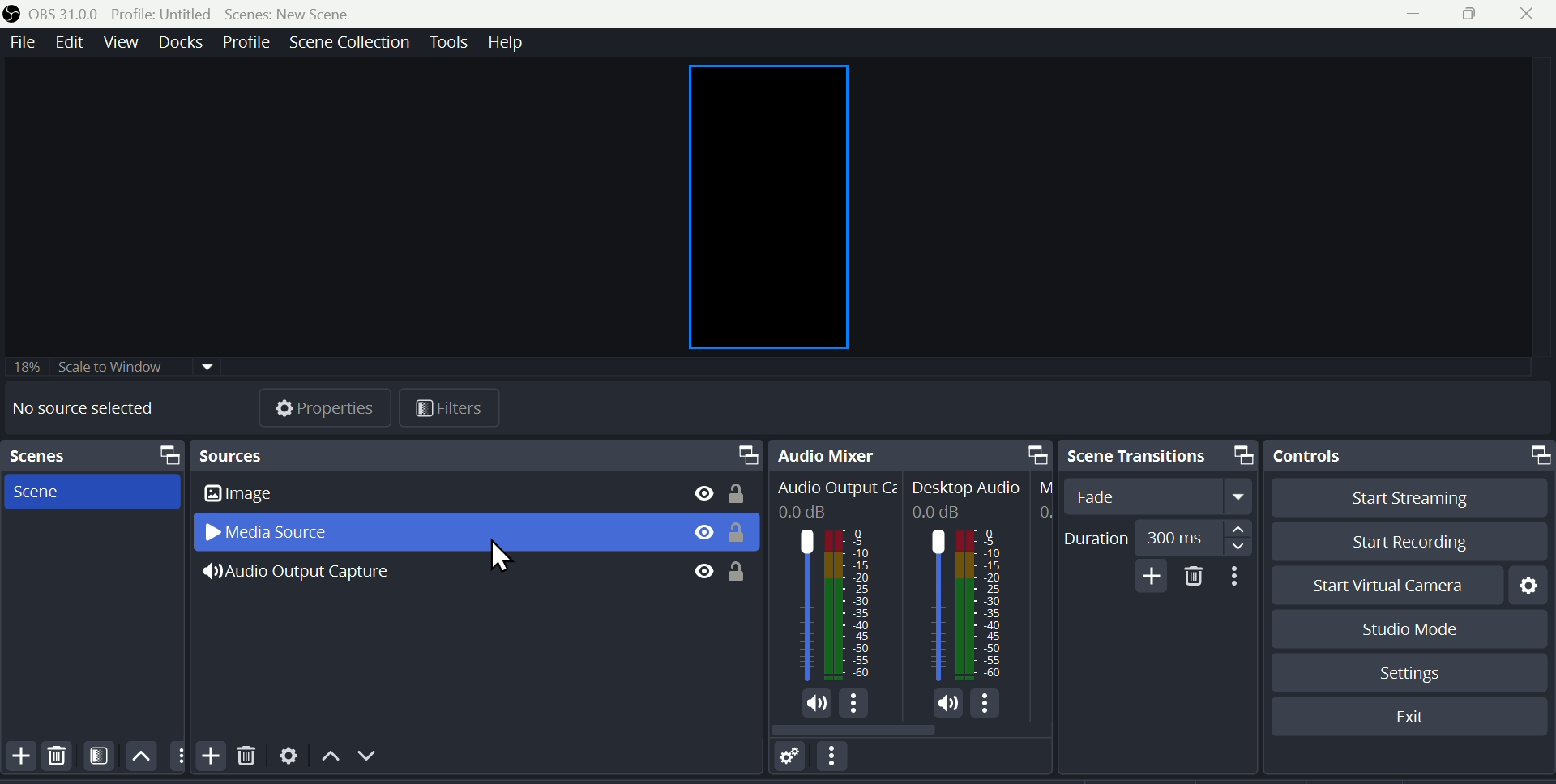 This screenshot has height=784, width=1556. I want to click on Duration, so click(1153, 535).